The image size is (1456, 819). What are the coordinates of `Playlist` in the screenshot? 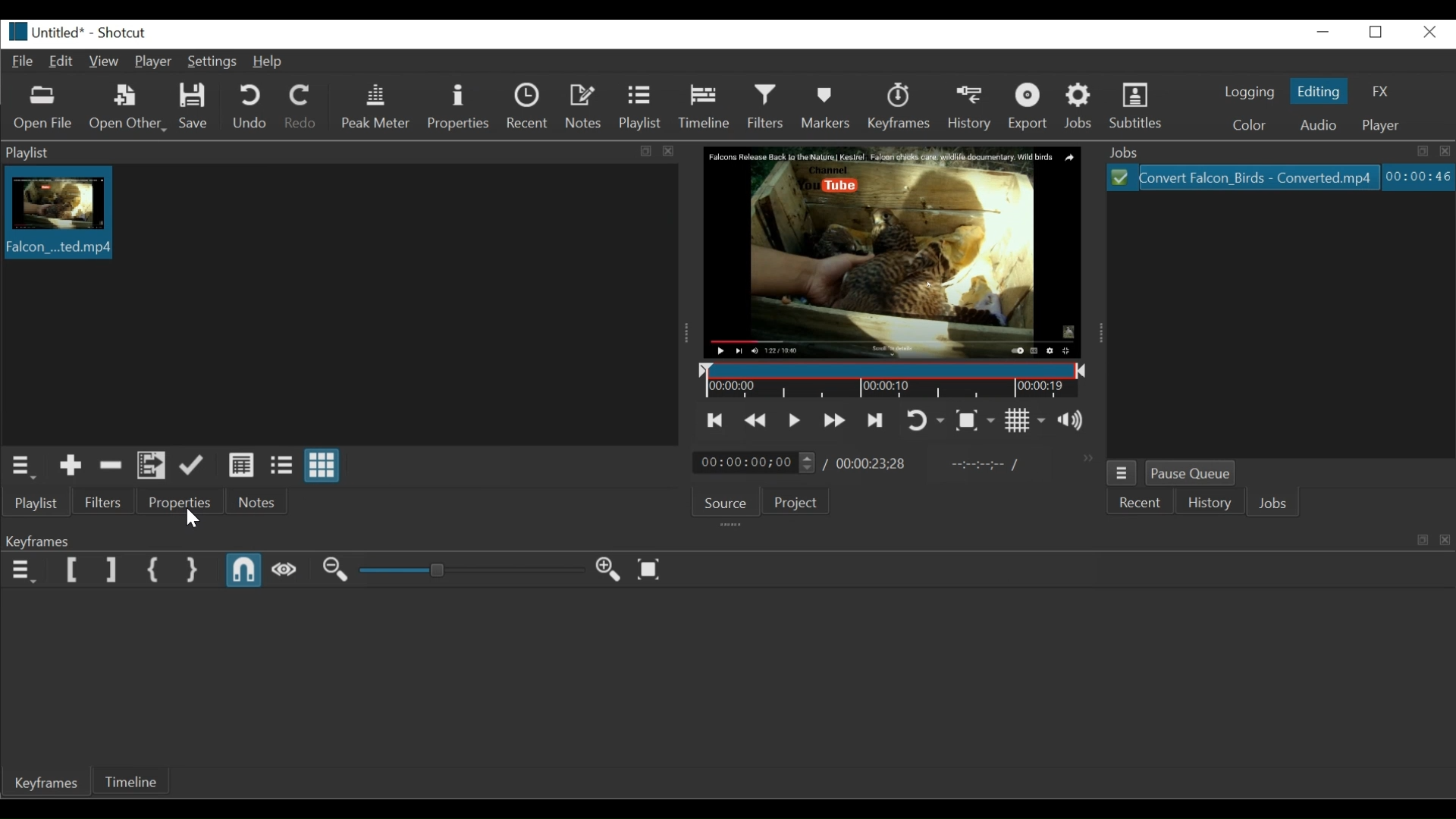 It's located at (642, 108).